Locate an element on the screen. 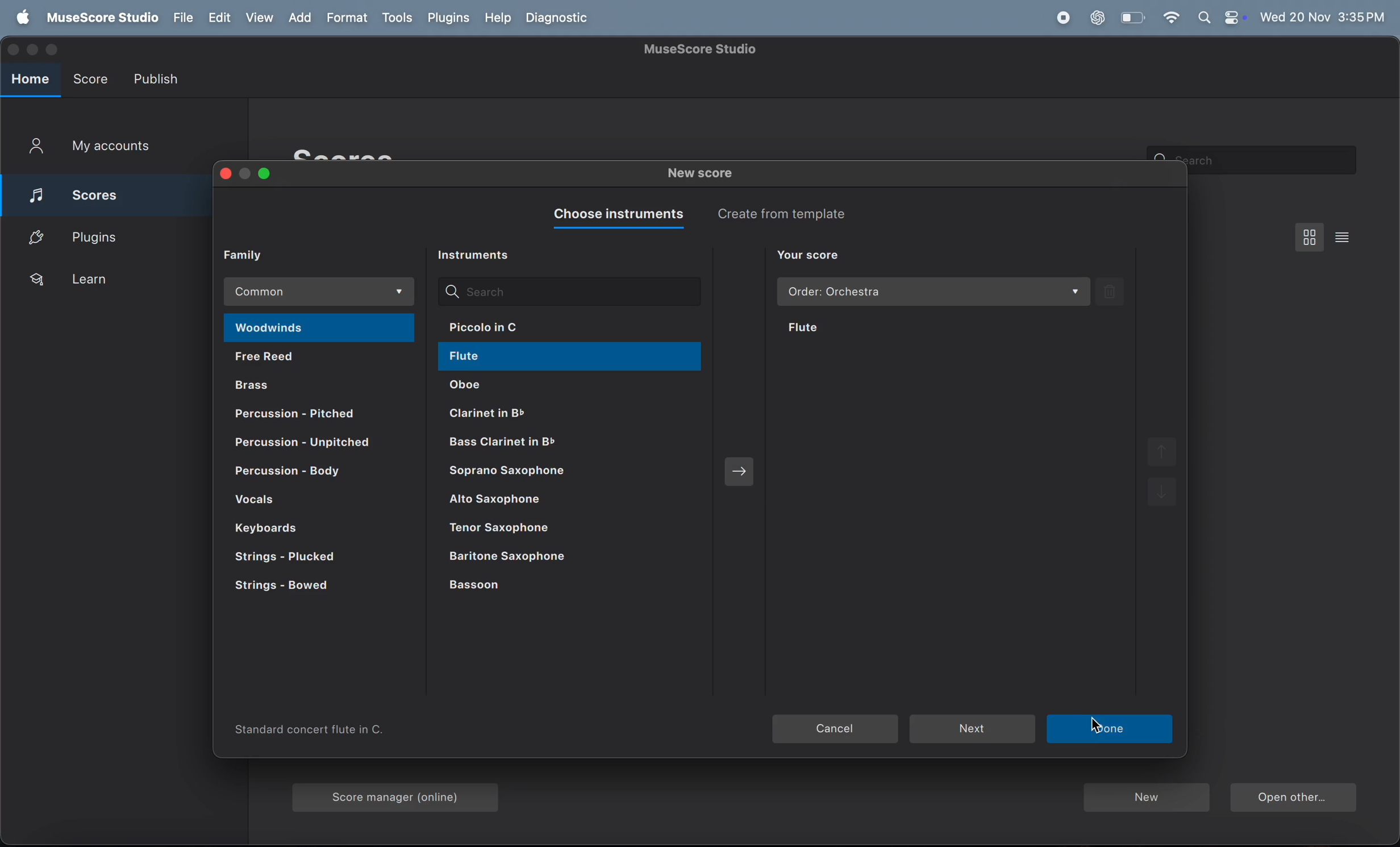 The width and height of the screenshot is (1400, 847). new score is located at coordinates (704, 175).